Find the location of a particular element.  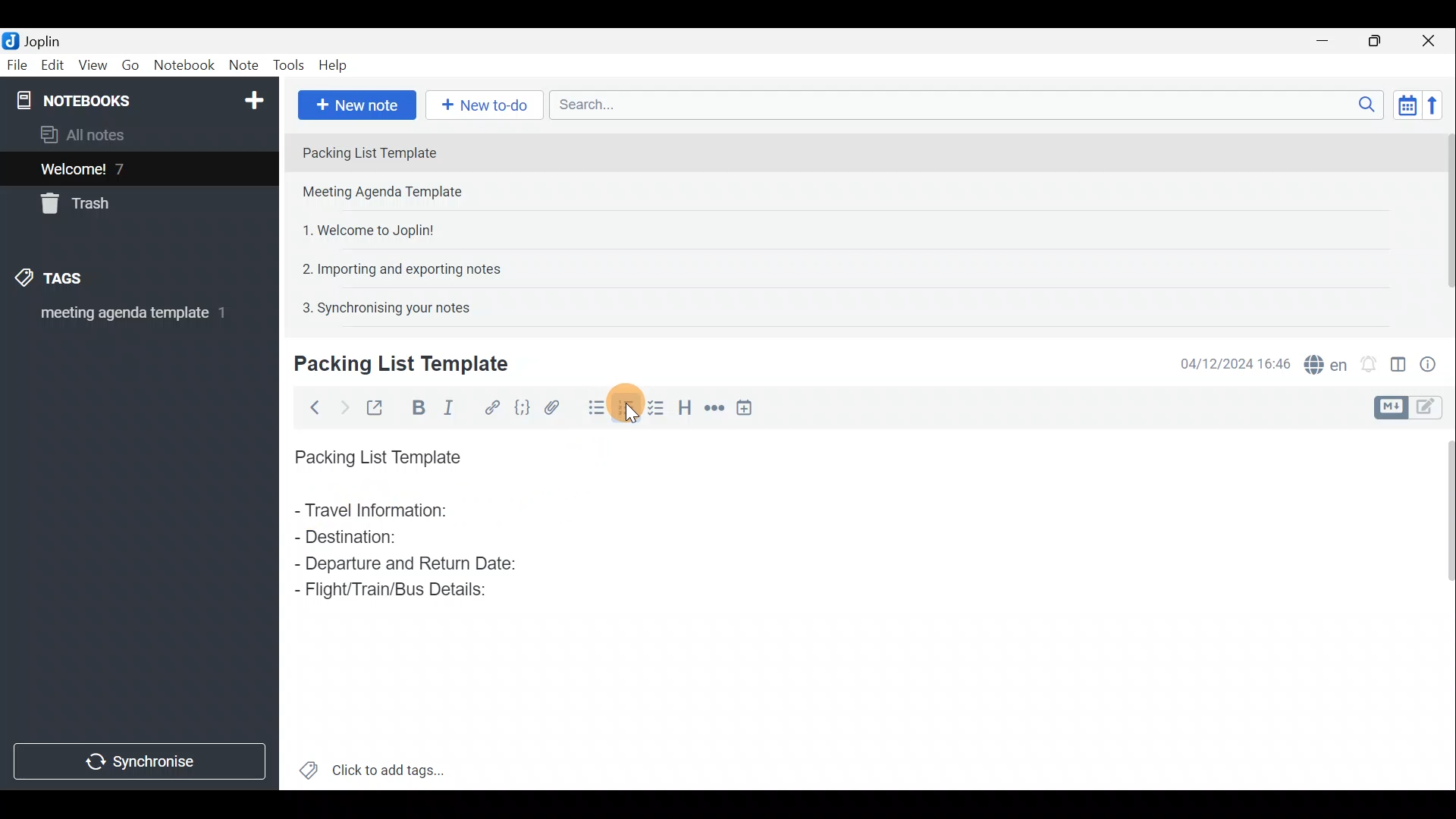

Welcome is located at coordinates (116, 168).